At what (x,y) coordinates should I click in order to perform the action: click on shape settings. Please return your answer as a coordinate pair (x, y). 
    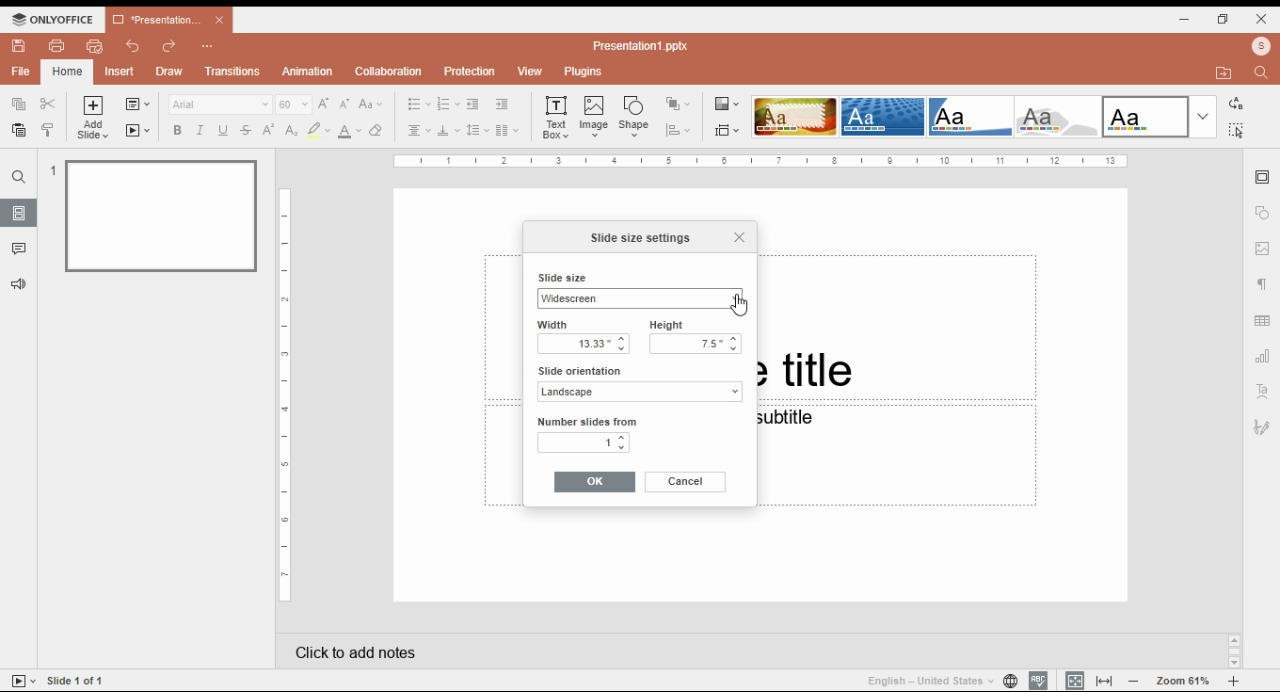
    Looking at the image, I should click on (1263, 213).